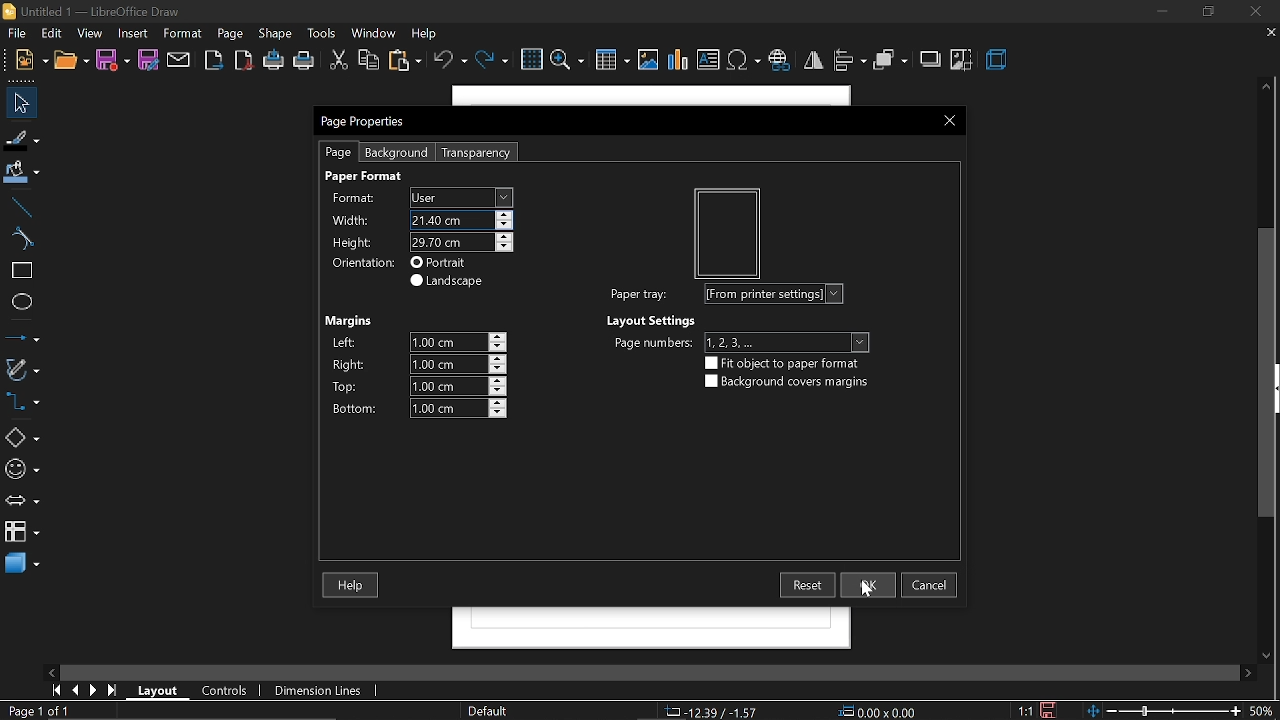 Image resolution: width=1280 pixels, height=720 pixels. I want to click on line, so click(21, 208).